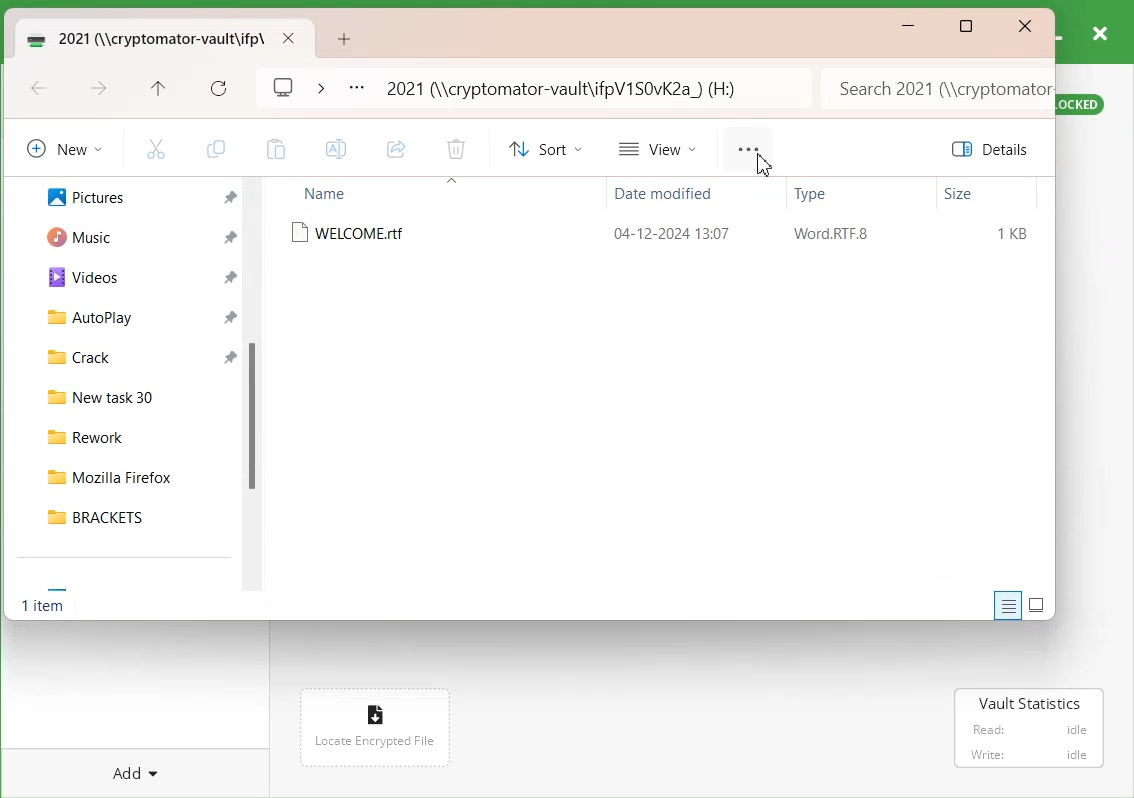 The width and height of the screenshot is (1134, 798). I want to click on Go forward, so click(99, 90).